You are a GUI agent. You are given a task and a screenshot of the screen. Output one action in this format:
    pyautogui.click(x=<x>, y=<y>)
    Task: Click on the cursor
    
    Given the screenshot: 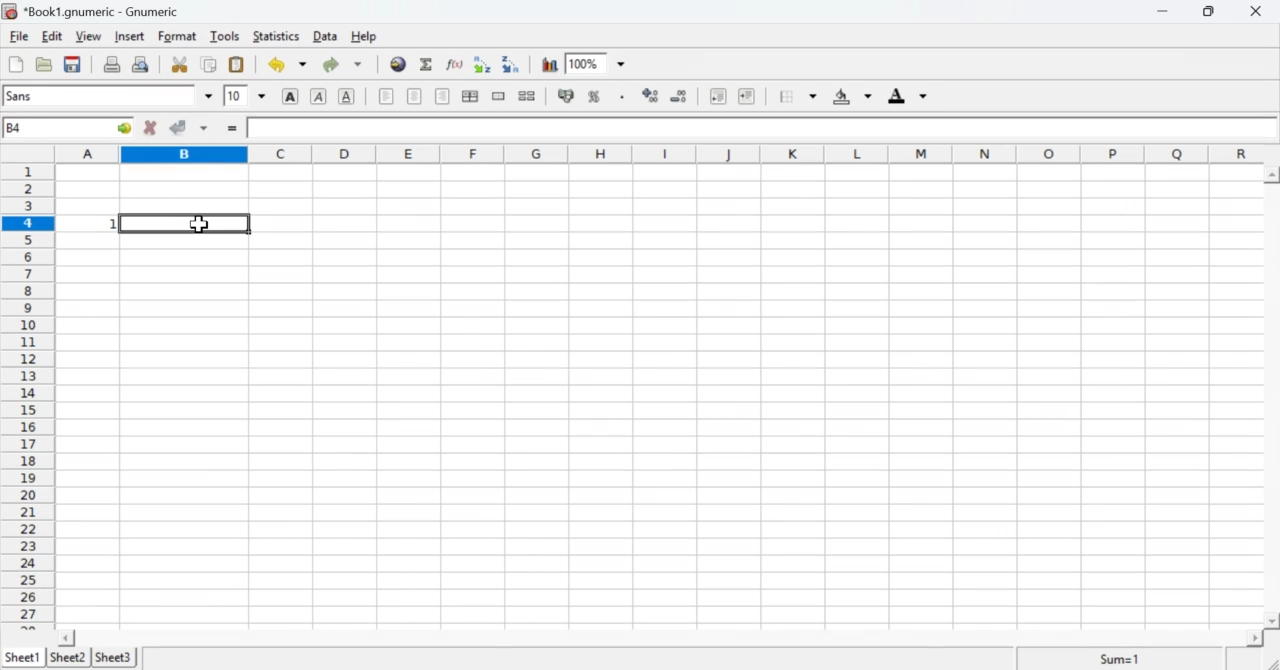 What is the action you would take?
    pyautogui.click(x=198, y=226)
    